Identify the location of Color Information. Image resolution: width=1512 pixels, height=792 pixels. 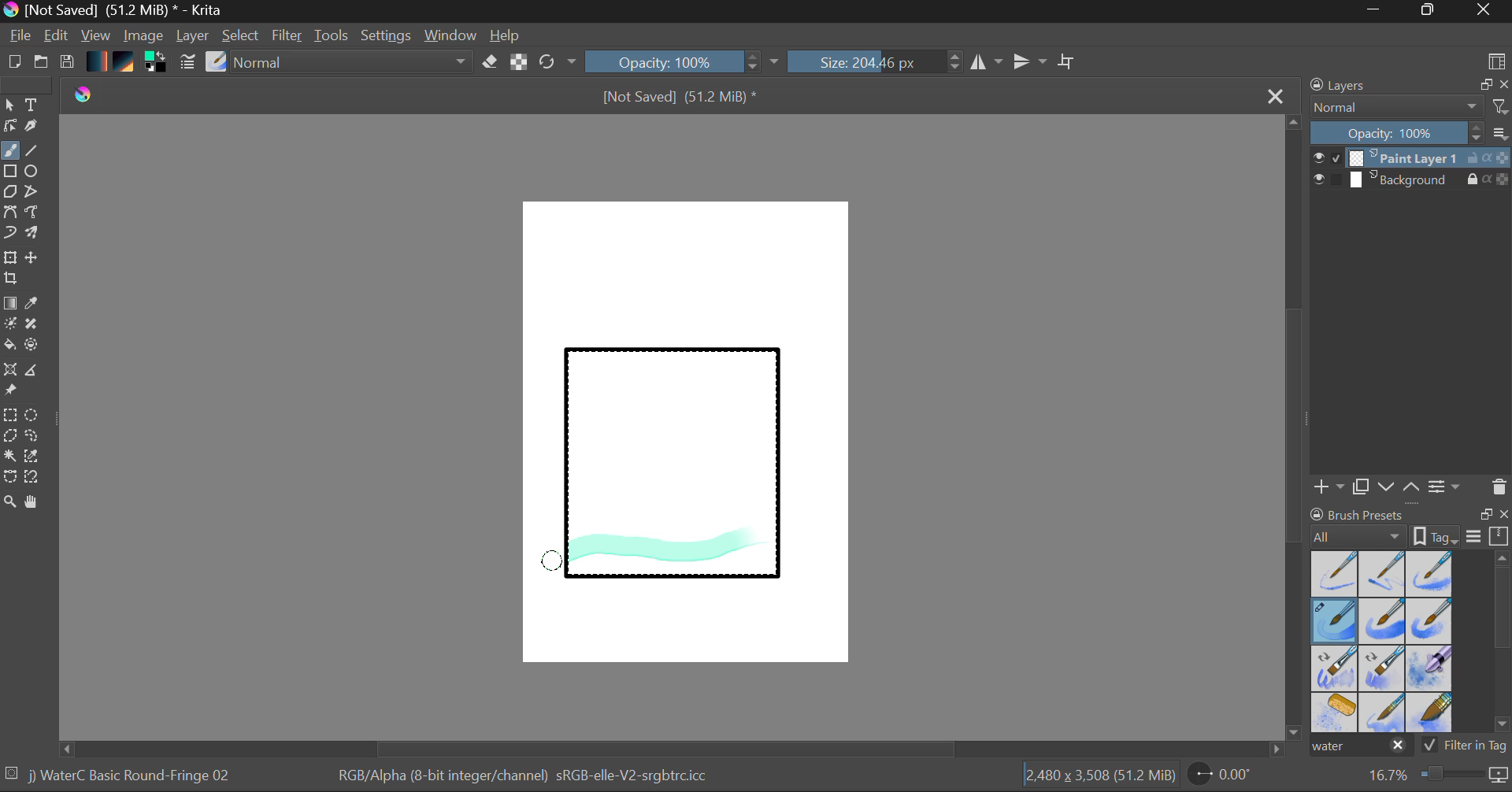
(521, 777).